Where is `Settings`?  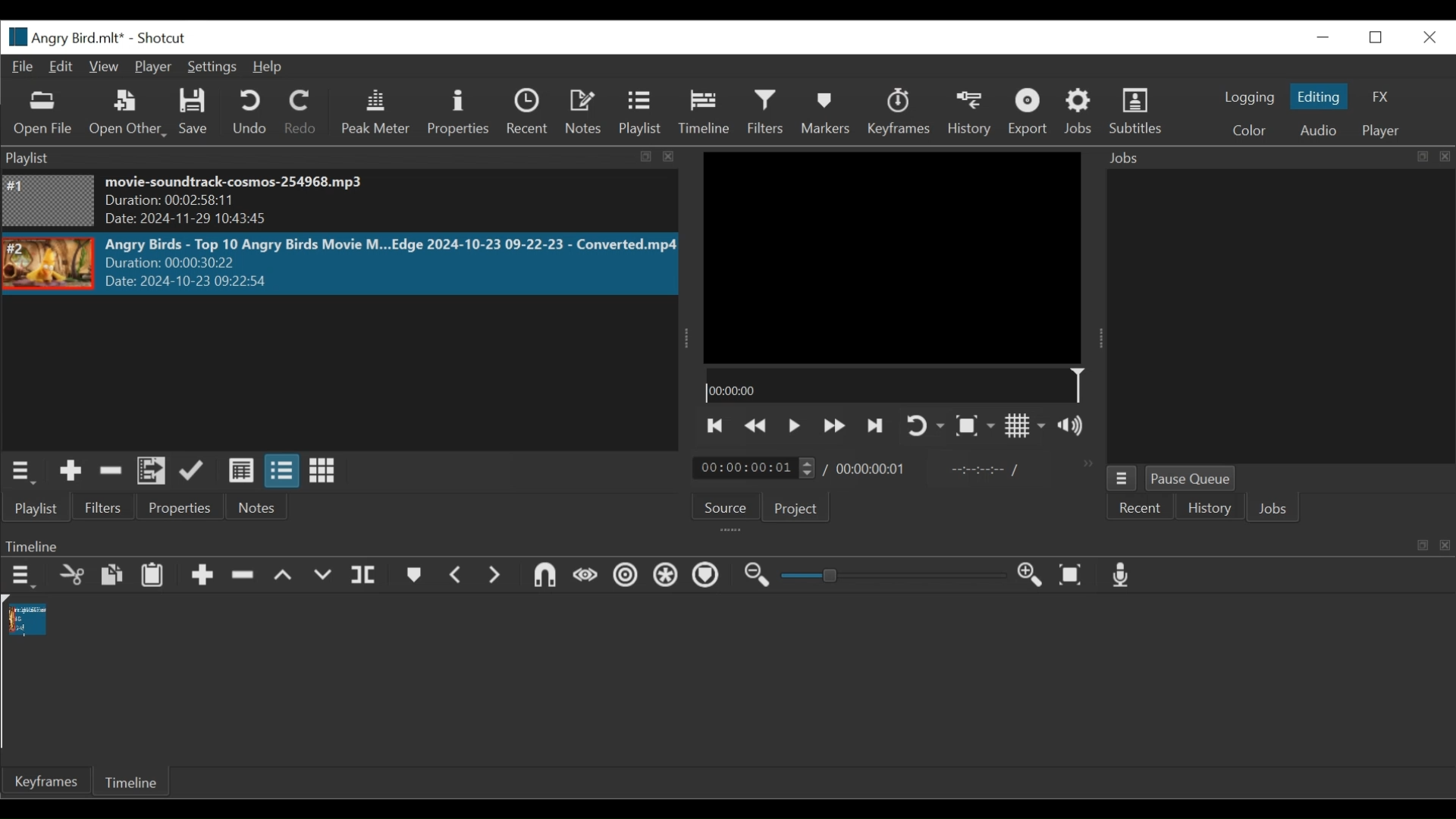
Settings is located at coordinates (210, 67).